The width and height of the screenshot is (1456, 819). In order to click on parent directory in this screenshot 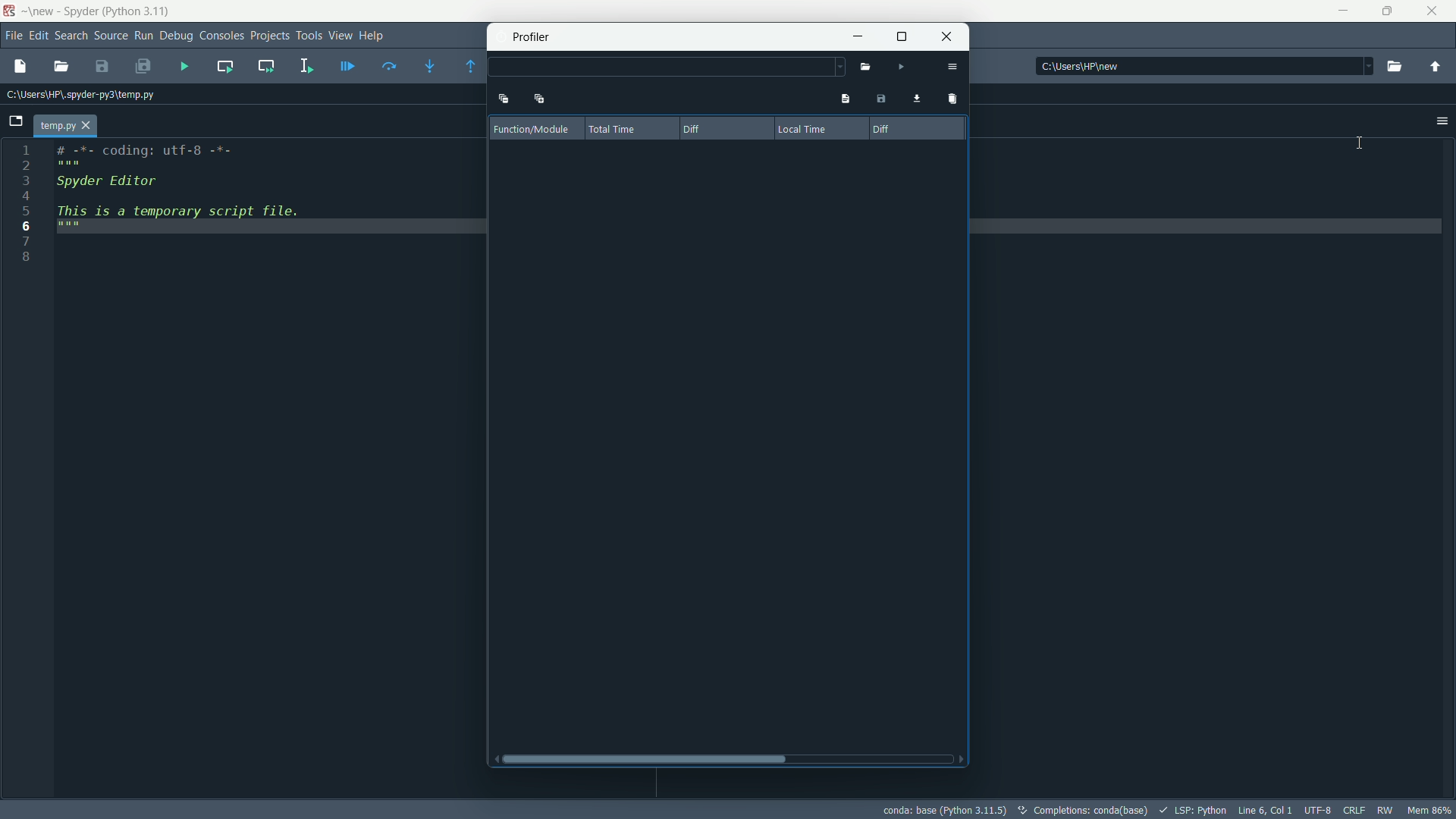, I will do `click(1436, 60)`.